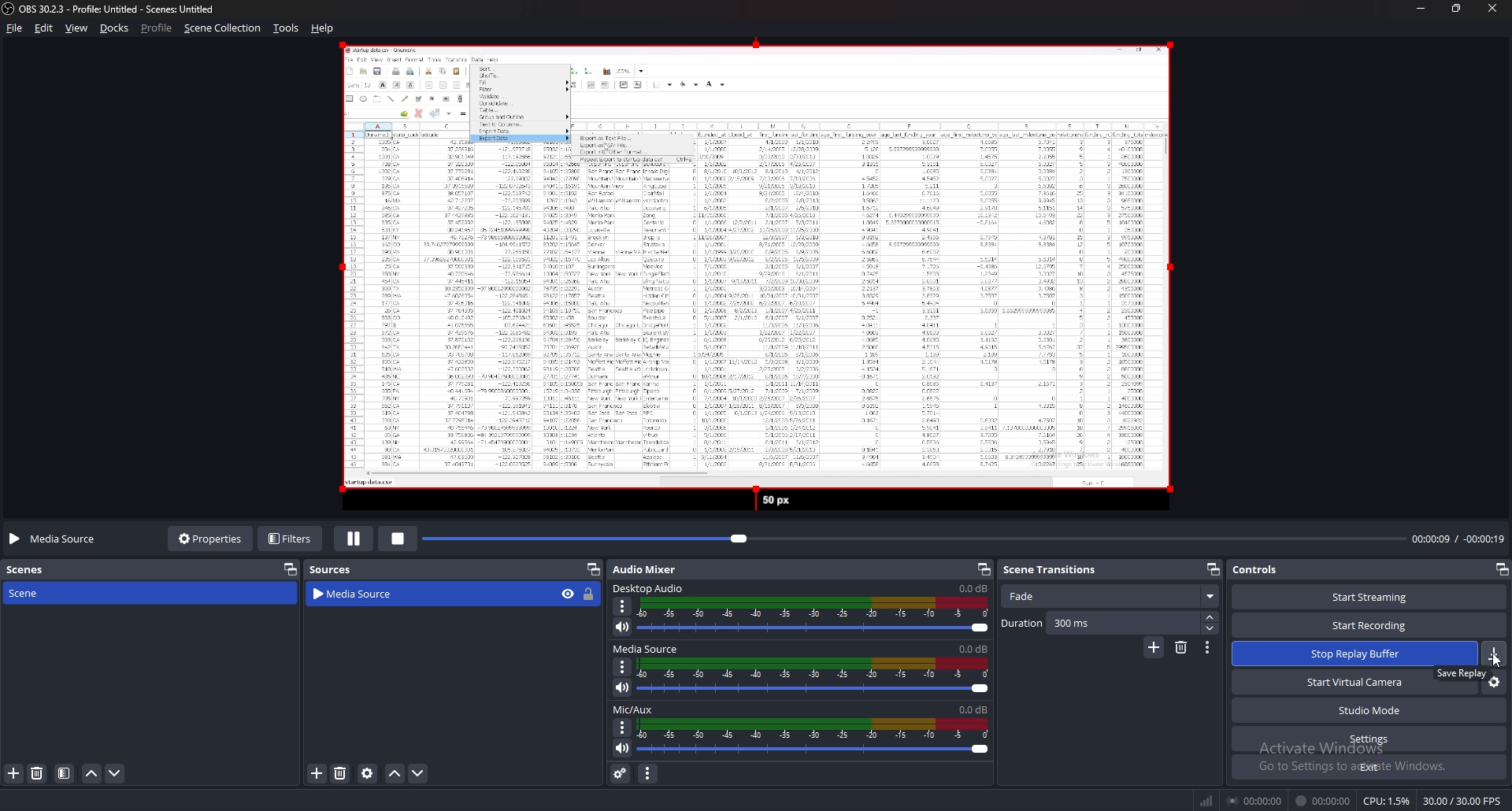 The width and height of the screenshot is (1512, 811). Describe the element at coordinates (336, 568) in the screenshot. I see `sources` at that location.